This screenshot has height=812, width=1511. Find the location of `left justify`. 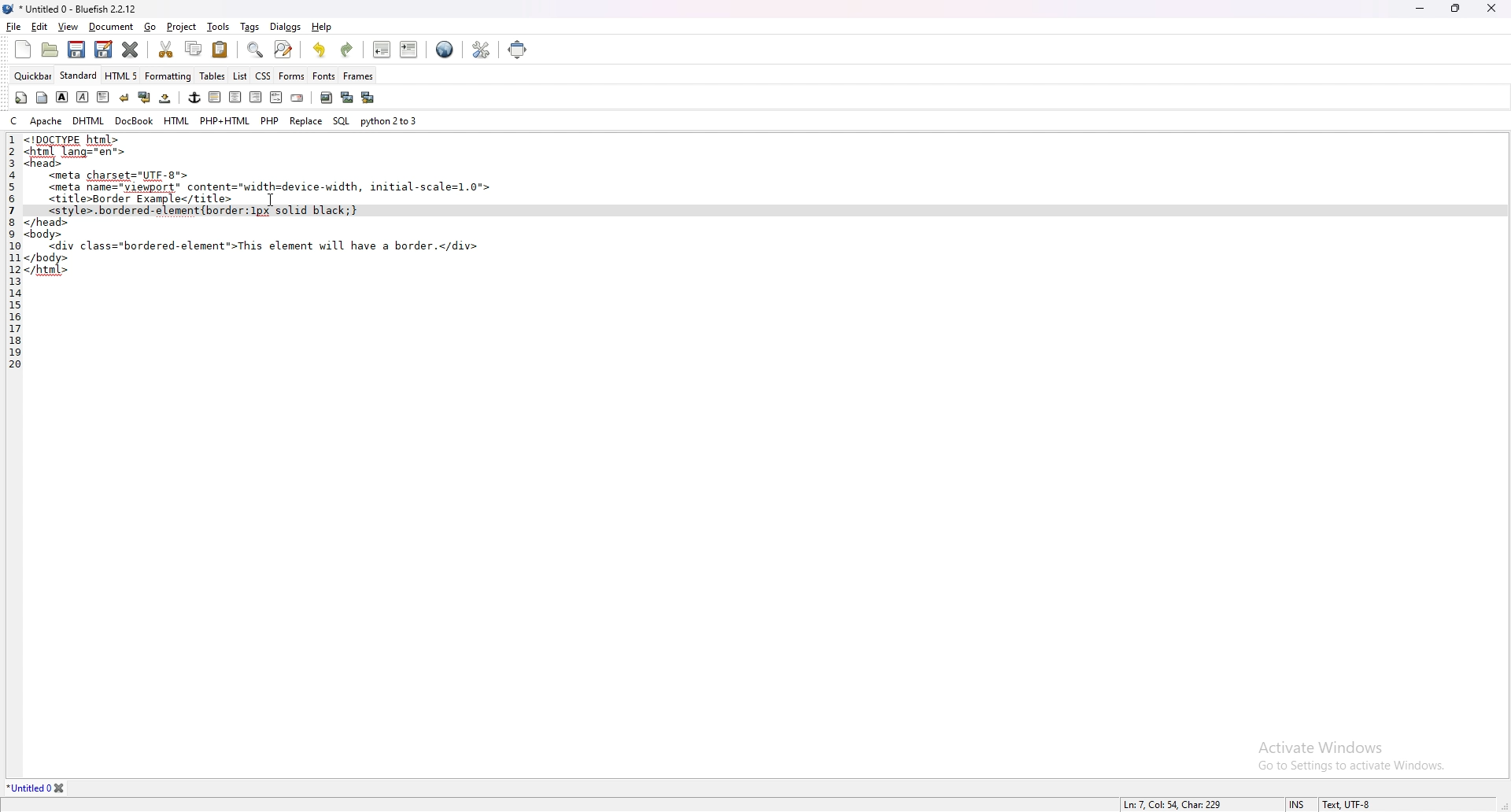

left justify is located at coordinates (216, 97).